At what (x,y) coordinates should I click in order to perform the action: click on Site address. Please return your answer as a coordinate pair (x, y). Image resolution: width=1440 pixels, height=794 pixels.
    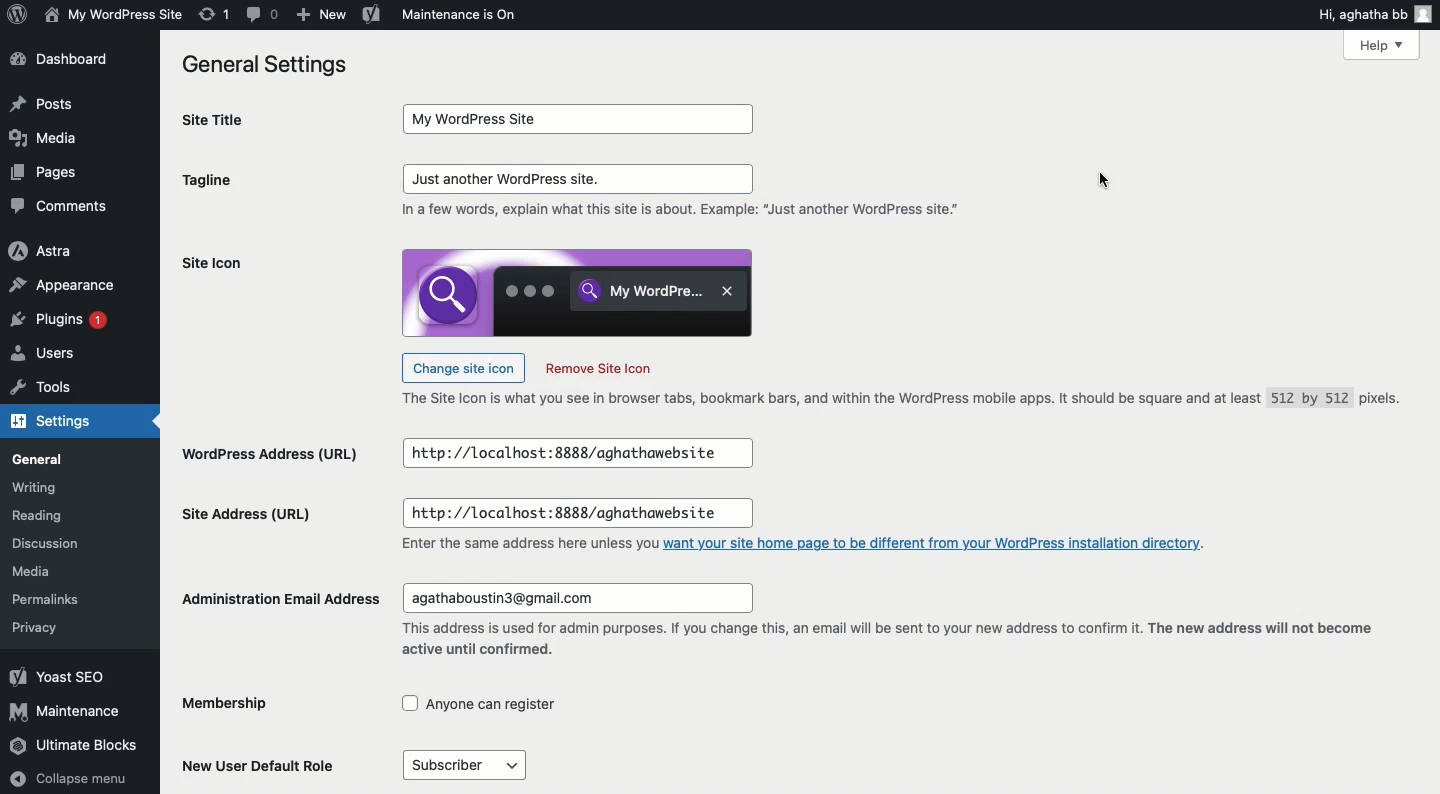
    Looking at the image, I should click on (247, 512).